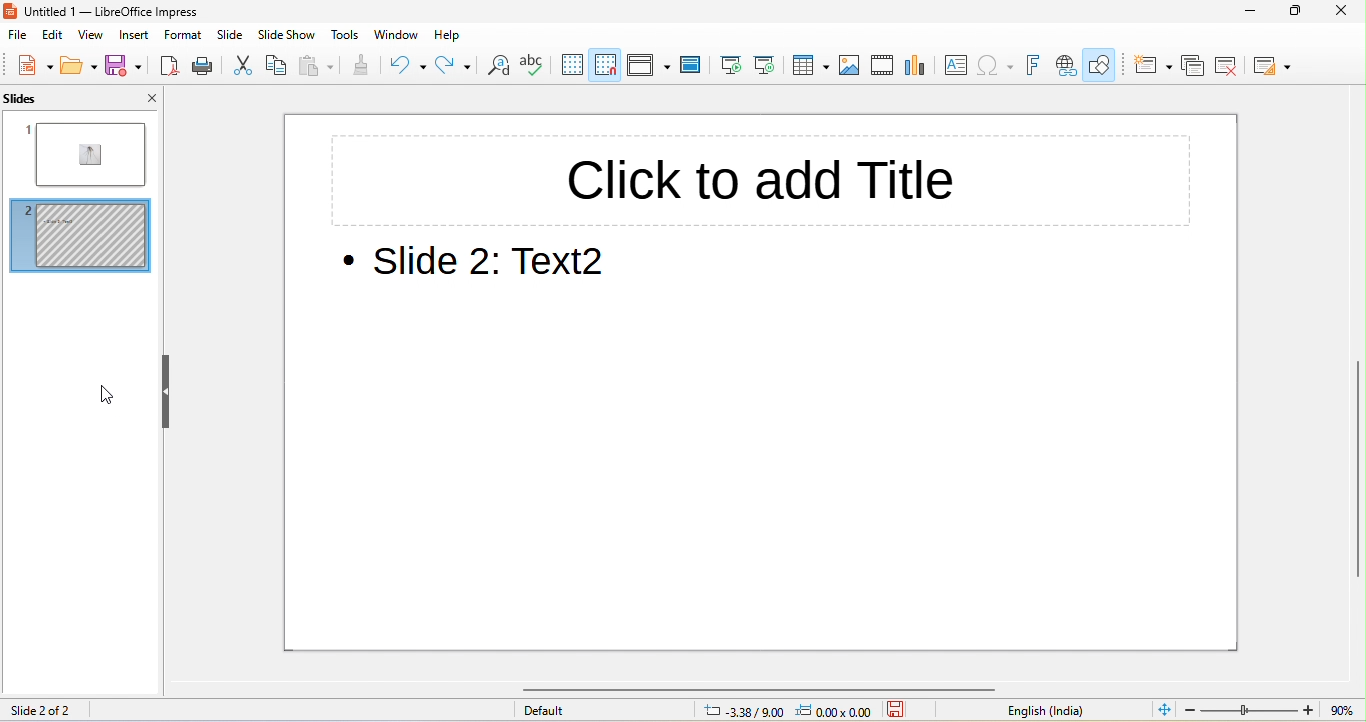 This screenshot has height=722, width=1366. I want to click on image, so click(853, 65).